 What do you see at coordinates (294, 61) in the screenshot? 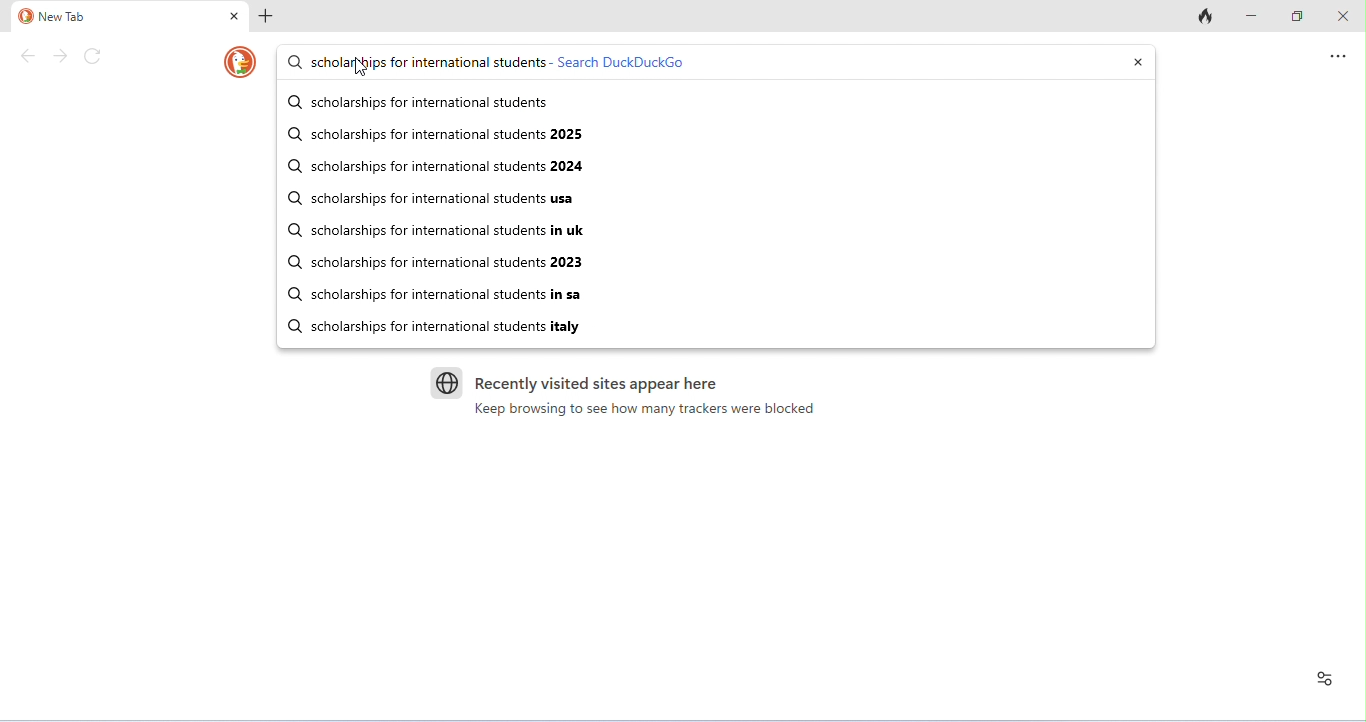
I see `search icon` at bounding box center [294, 61].